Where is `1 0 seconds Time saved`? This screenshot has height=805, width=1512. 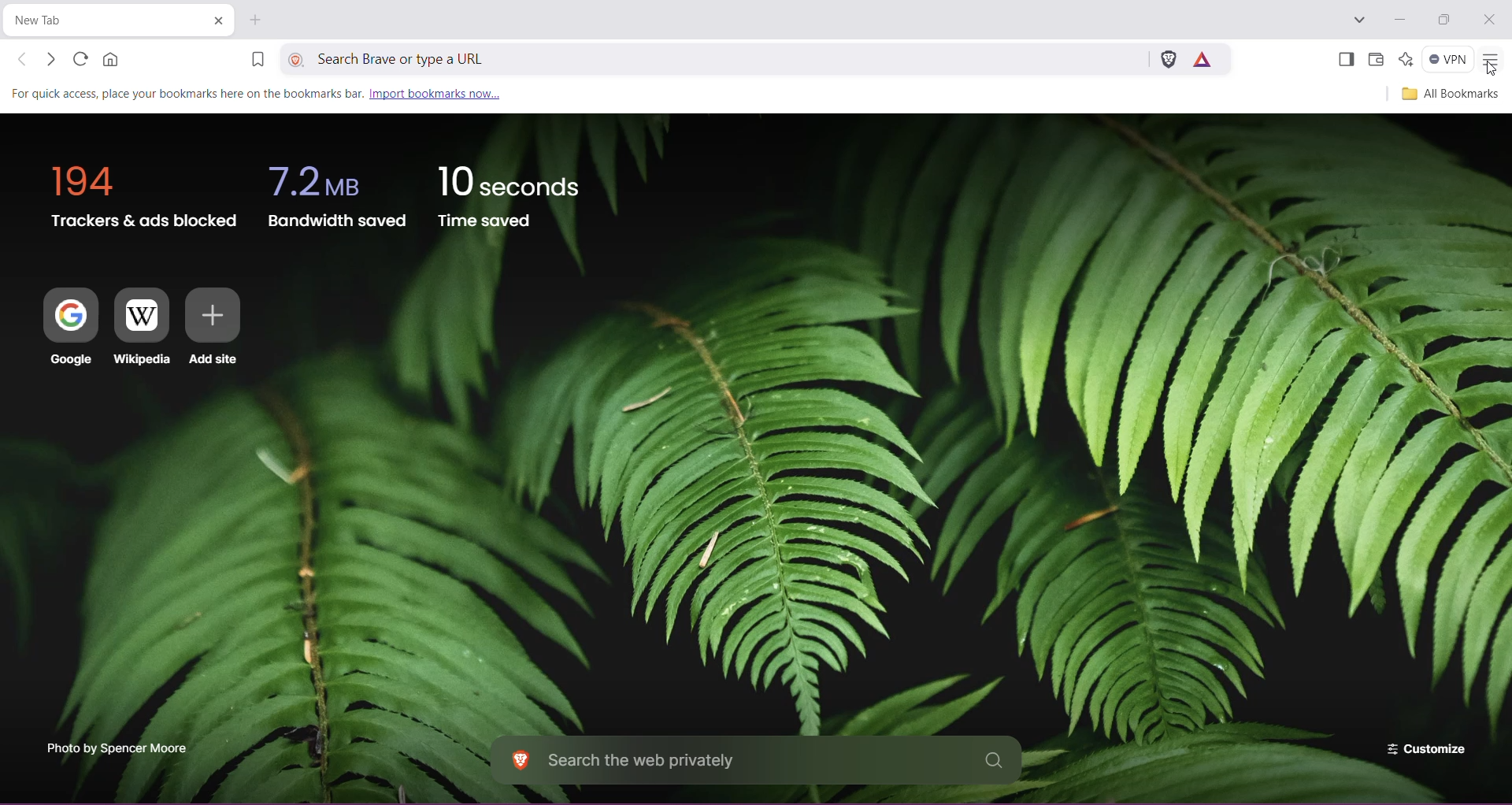
1 0 seconds Time saved is located at coordinates (509, 192).